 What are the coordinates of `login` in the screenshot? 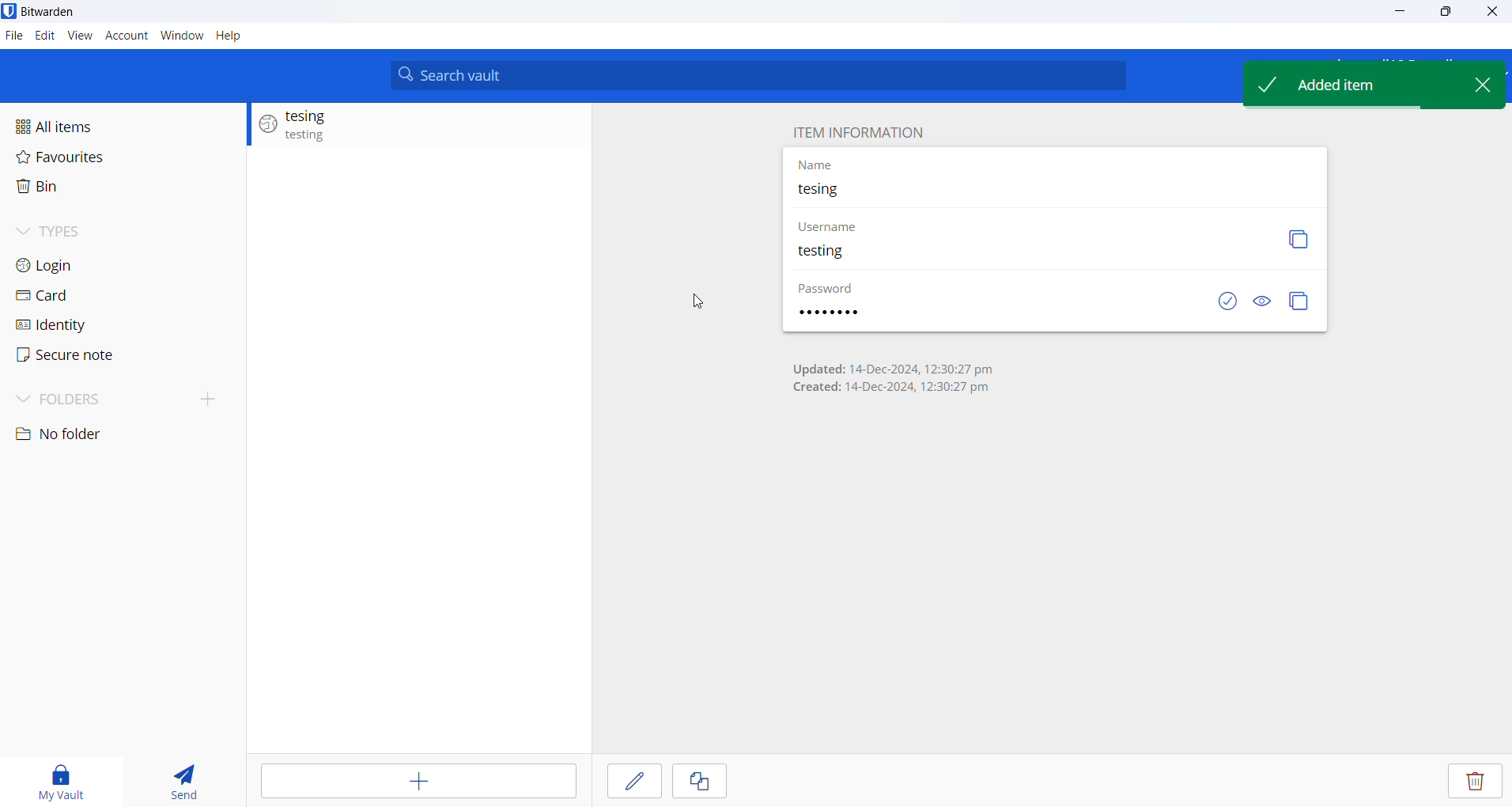 It's located at (93, 268).